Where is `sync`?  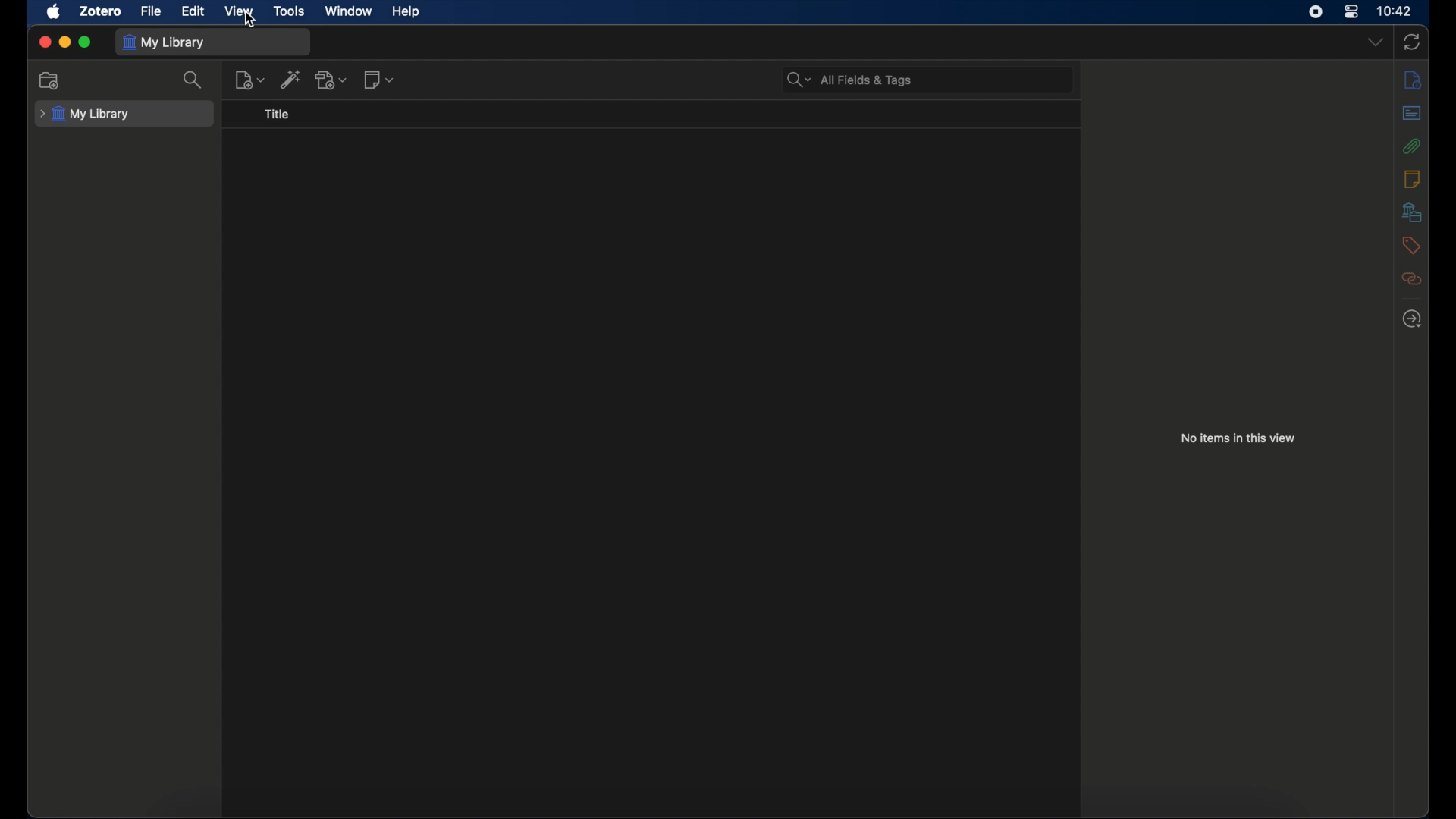
sync is located at coordinates (1412, 42).